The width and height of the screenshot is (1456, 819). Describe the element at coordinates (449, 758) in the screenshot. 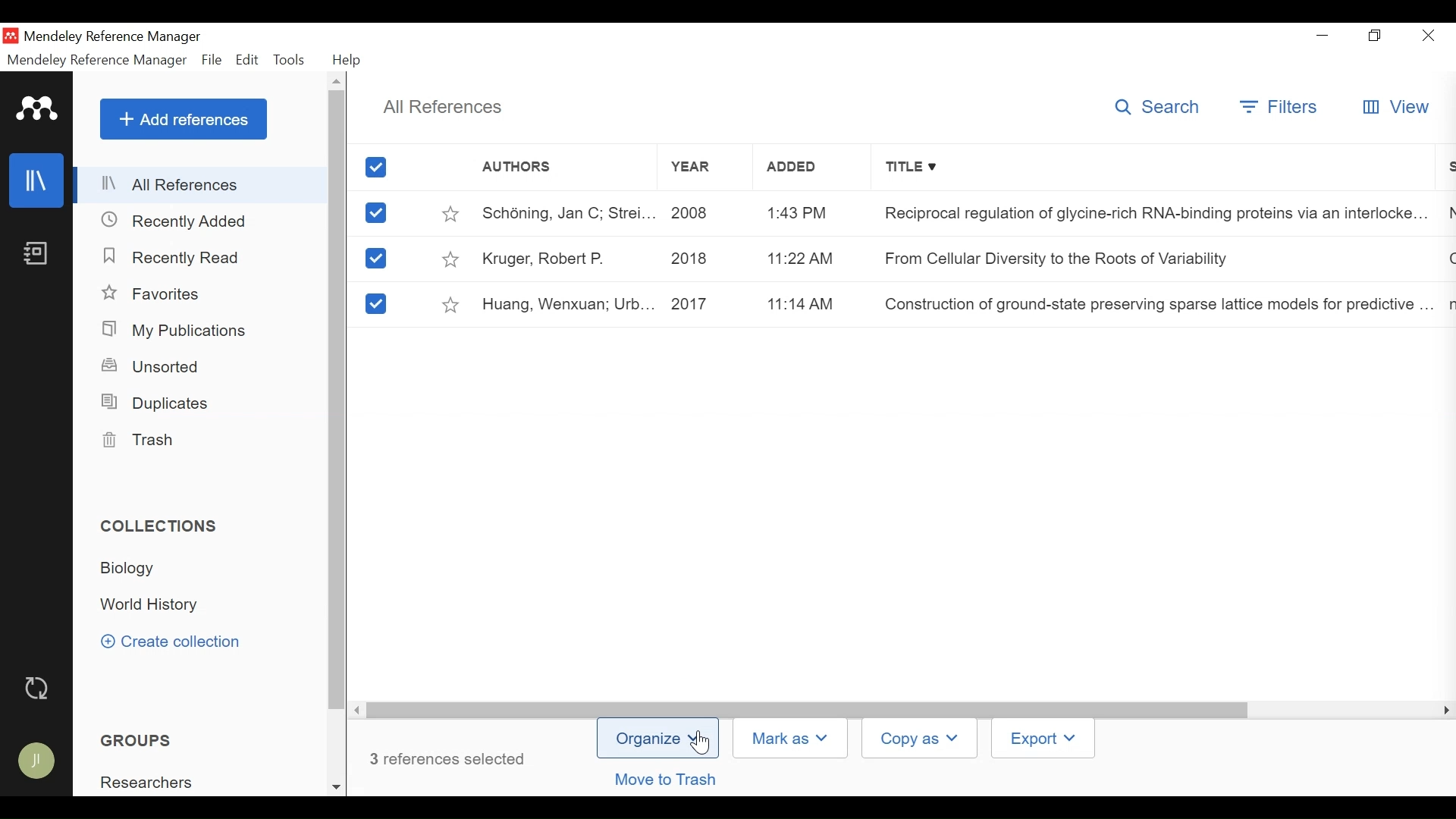

I see `Number of references selected` at that location.